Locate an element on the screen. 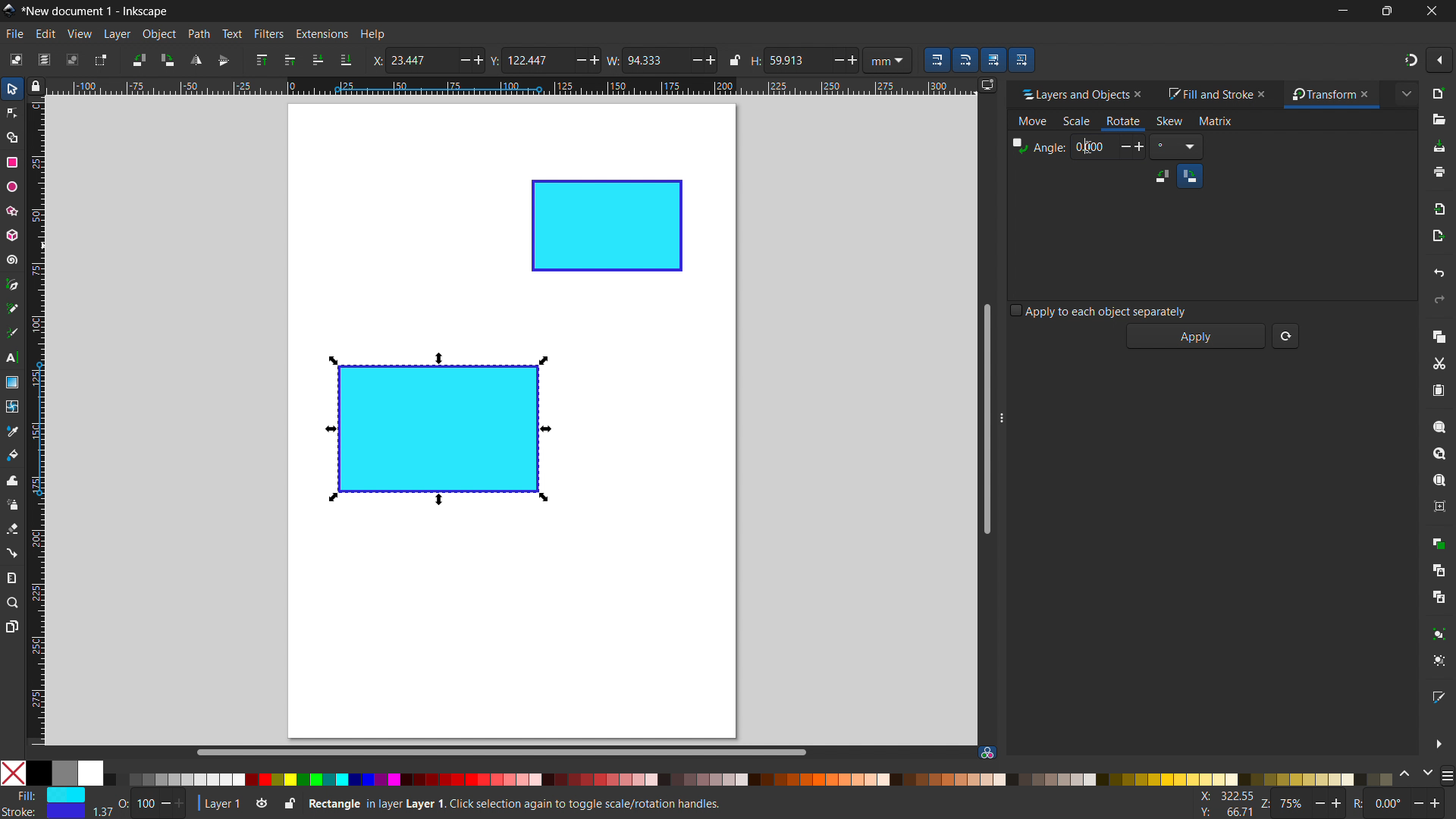  when  locked change height and width proportionally  is located at coordinates (735, 60).